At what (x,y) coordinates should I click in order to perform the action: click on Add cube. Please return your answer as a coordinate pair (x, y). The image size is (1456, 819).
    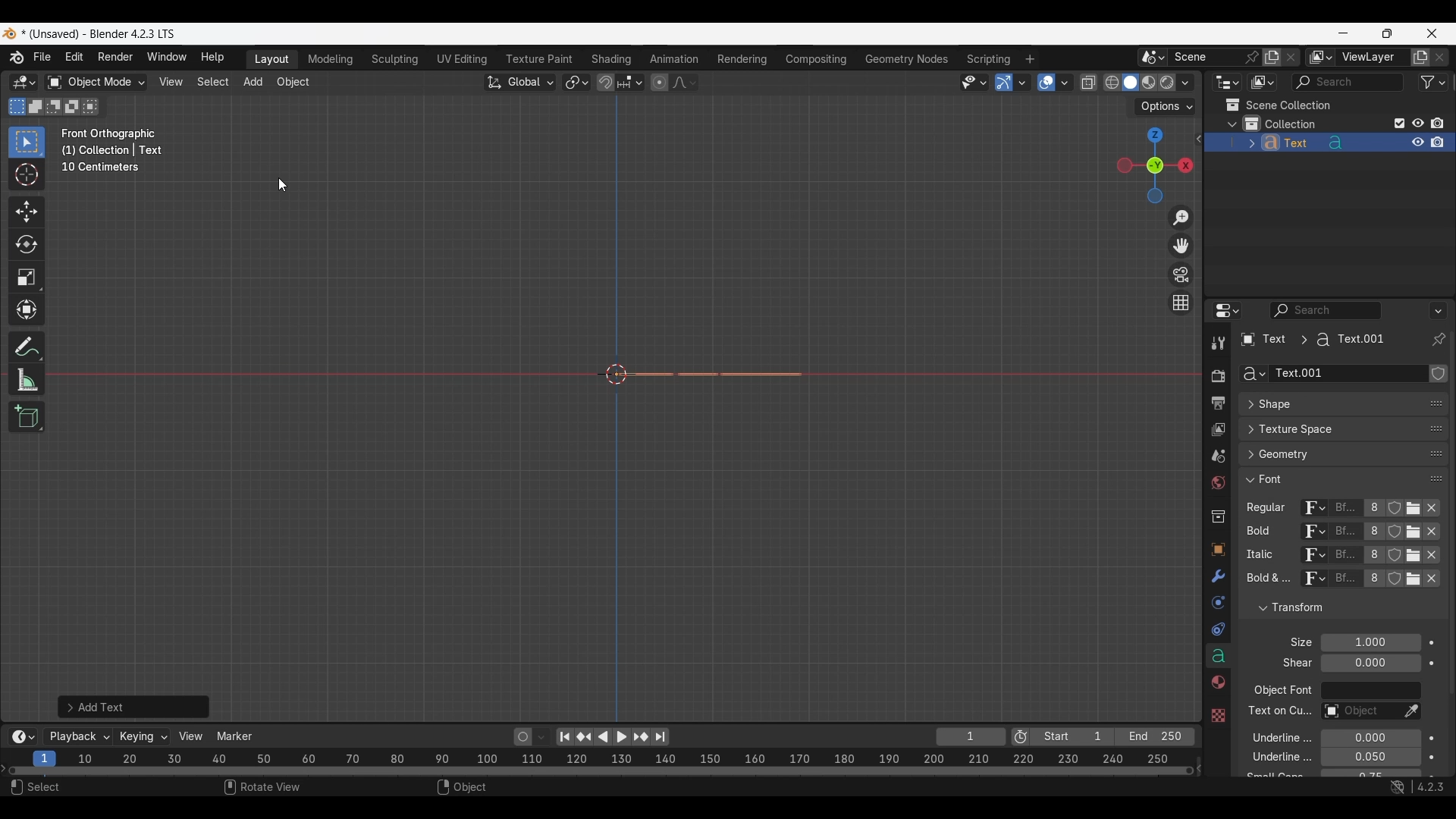
    Looking at the image, I should click on (27, 417).